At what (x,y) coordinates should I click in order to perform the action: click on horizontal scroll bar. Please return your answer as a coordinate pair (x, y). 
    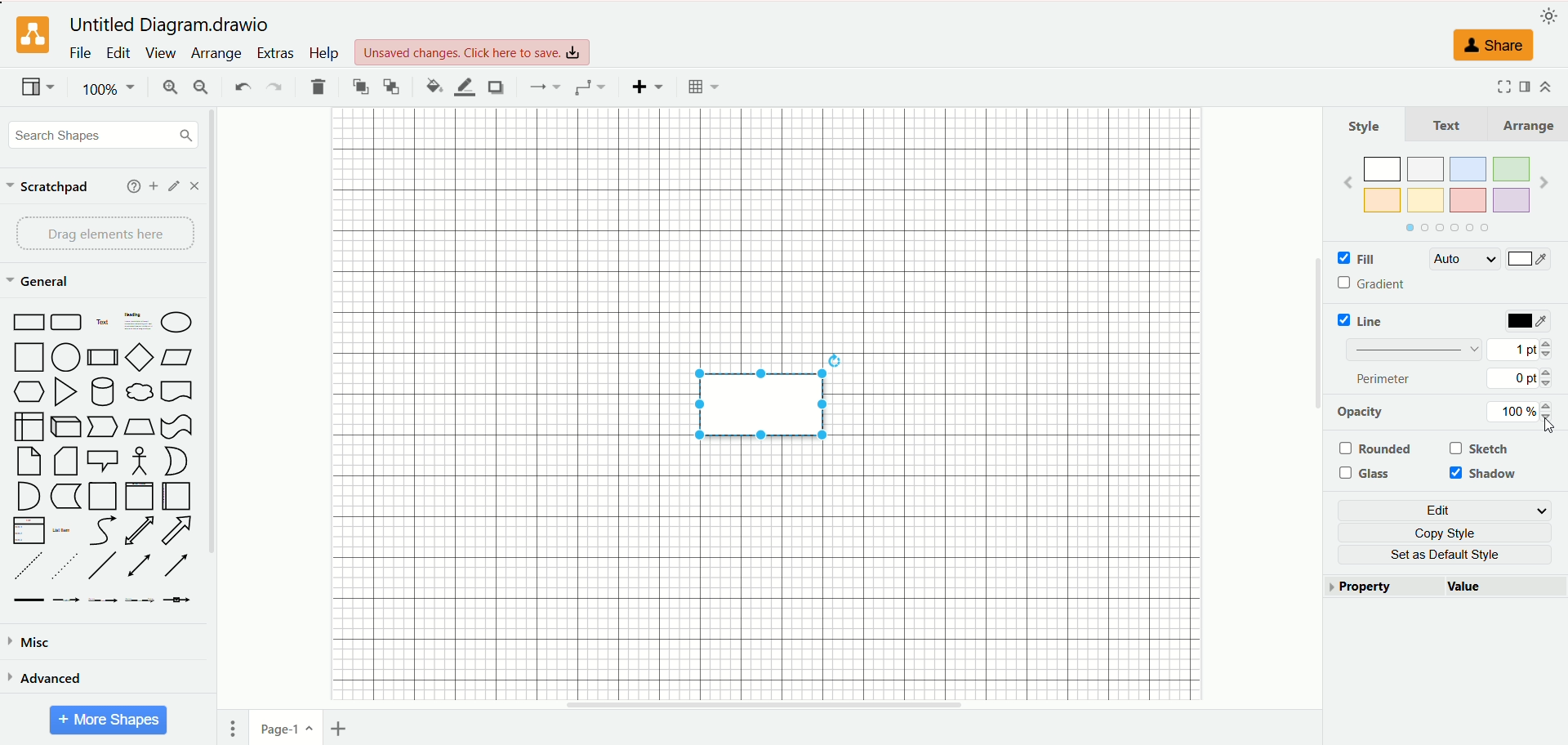
    Looking at the image, I should click on (765, 705).